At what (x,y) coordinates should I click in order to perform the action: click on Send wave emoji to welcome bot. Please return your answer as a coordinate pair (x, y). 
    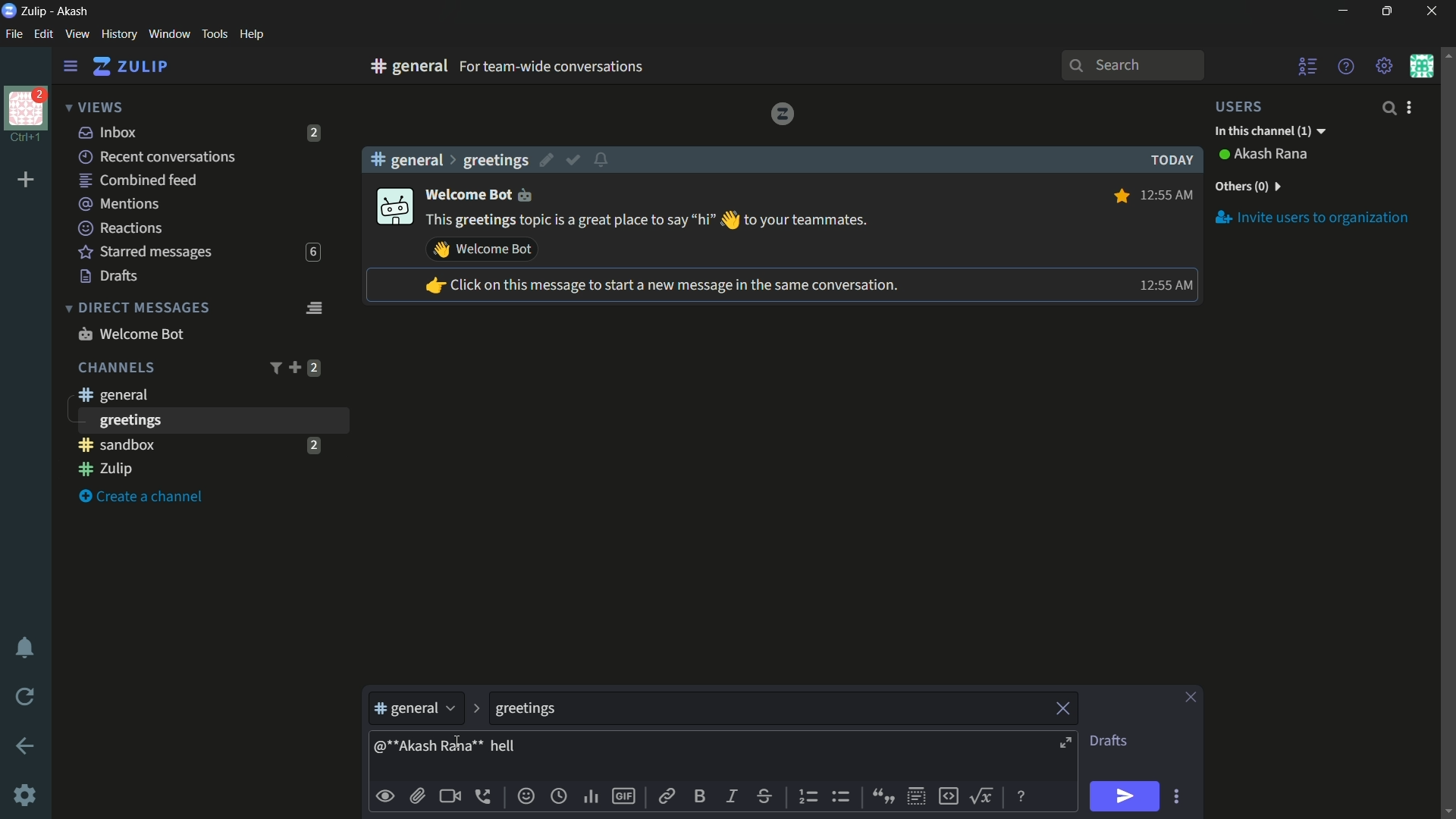
    Looking at the image, I should click on (482, 249).